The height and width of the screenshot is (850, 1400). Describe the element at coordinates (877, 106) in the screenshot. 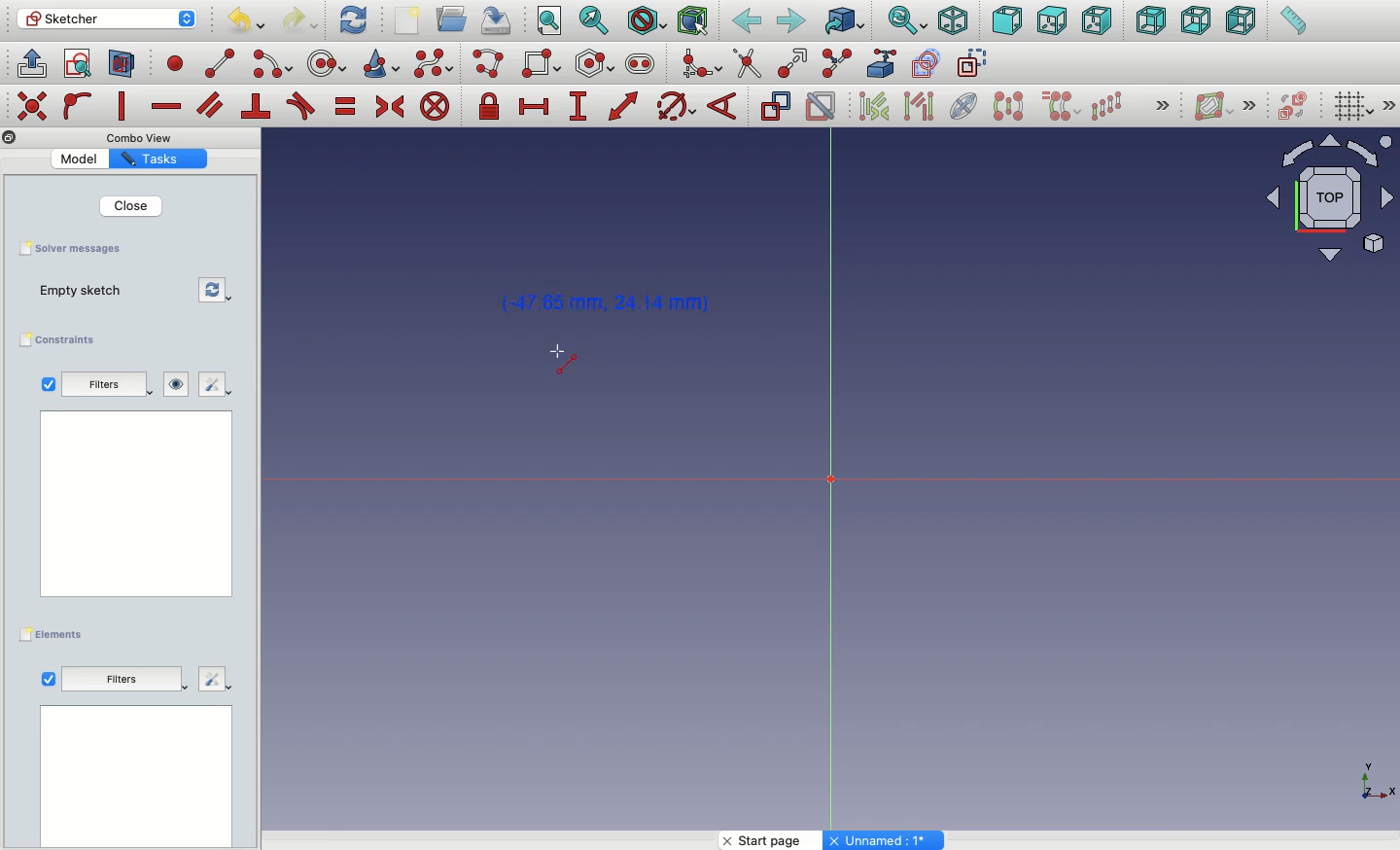

I see `Associated constraints` at that location.